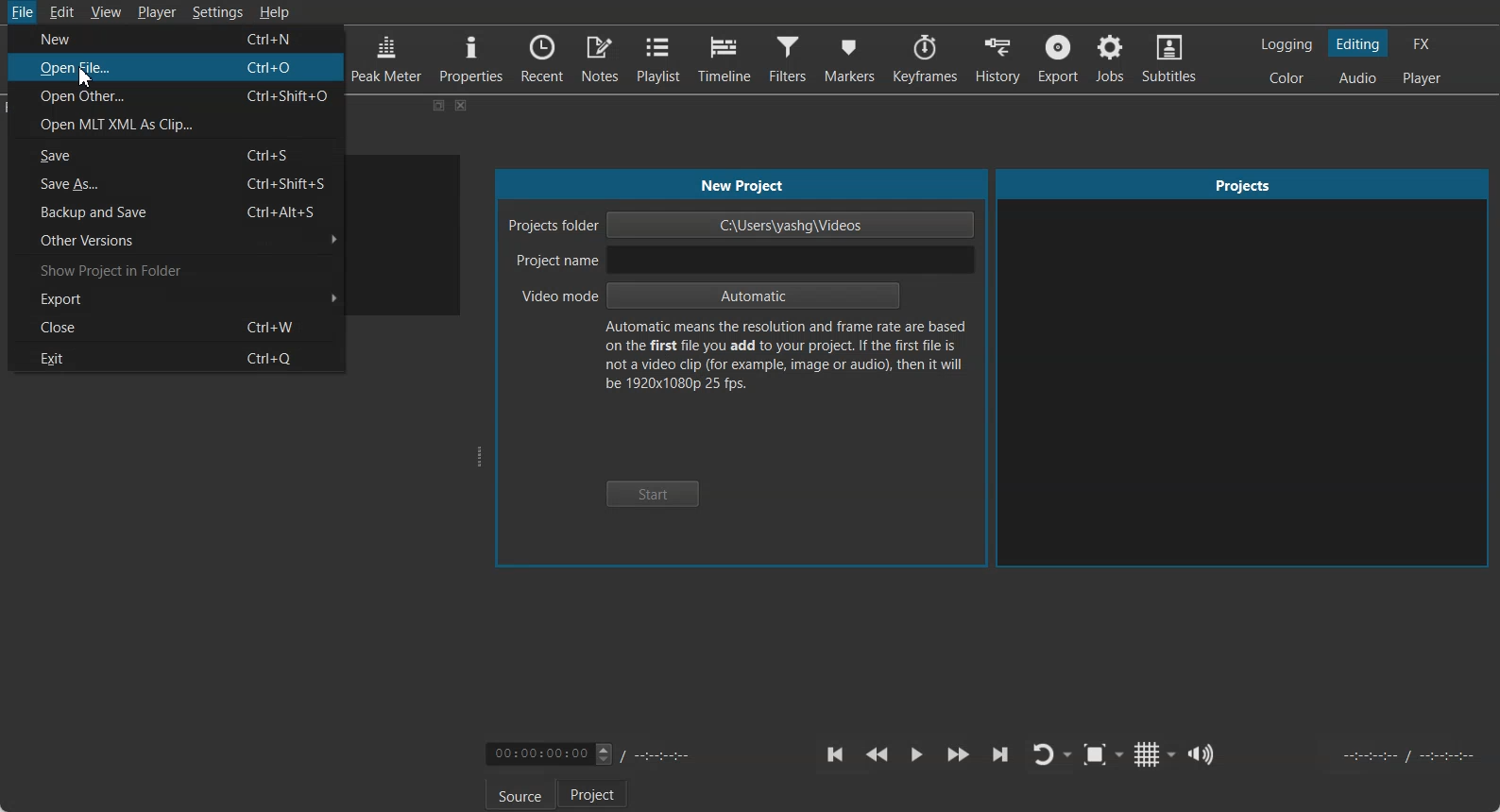 The image size is (1500, 812). What do you see at coordinates (22, 12) in the screenshot?
I see `File` at bounding box center [22, 12].